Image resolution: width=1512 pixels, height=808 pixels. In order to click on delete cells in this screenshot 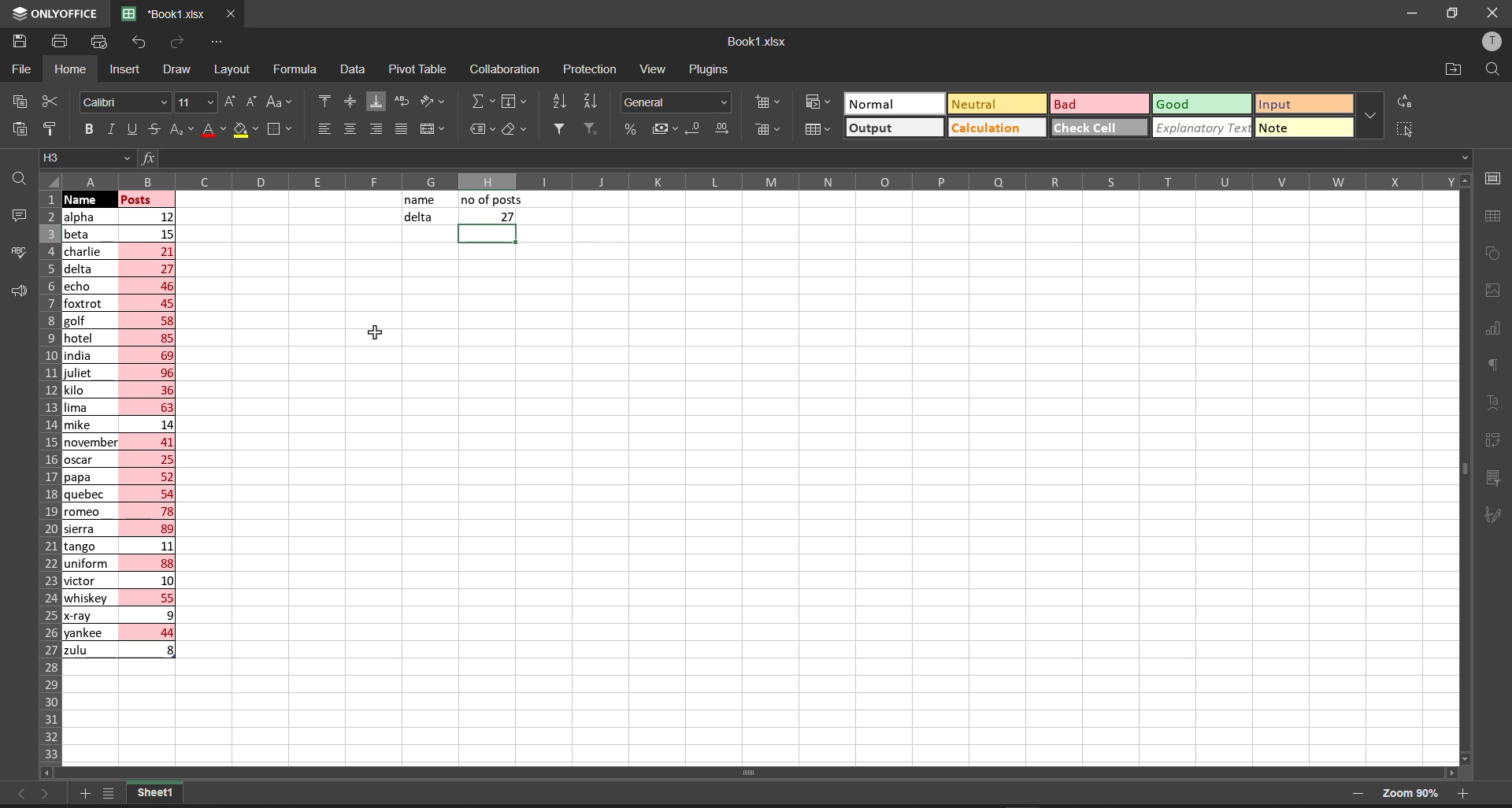, I will do `click(765, 128)`.